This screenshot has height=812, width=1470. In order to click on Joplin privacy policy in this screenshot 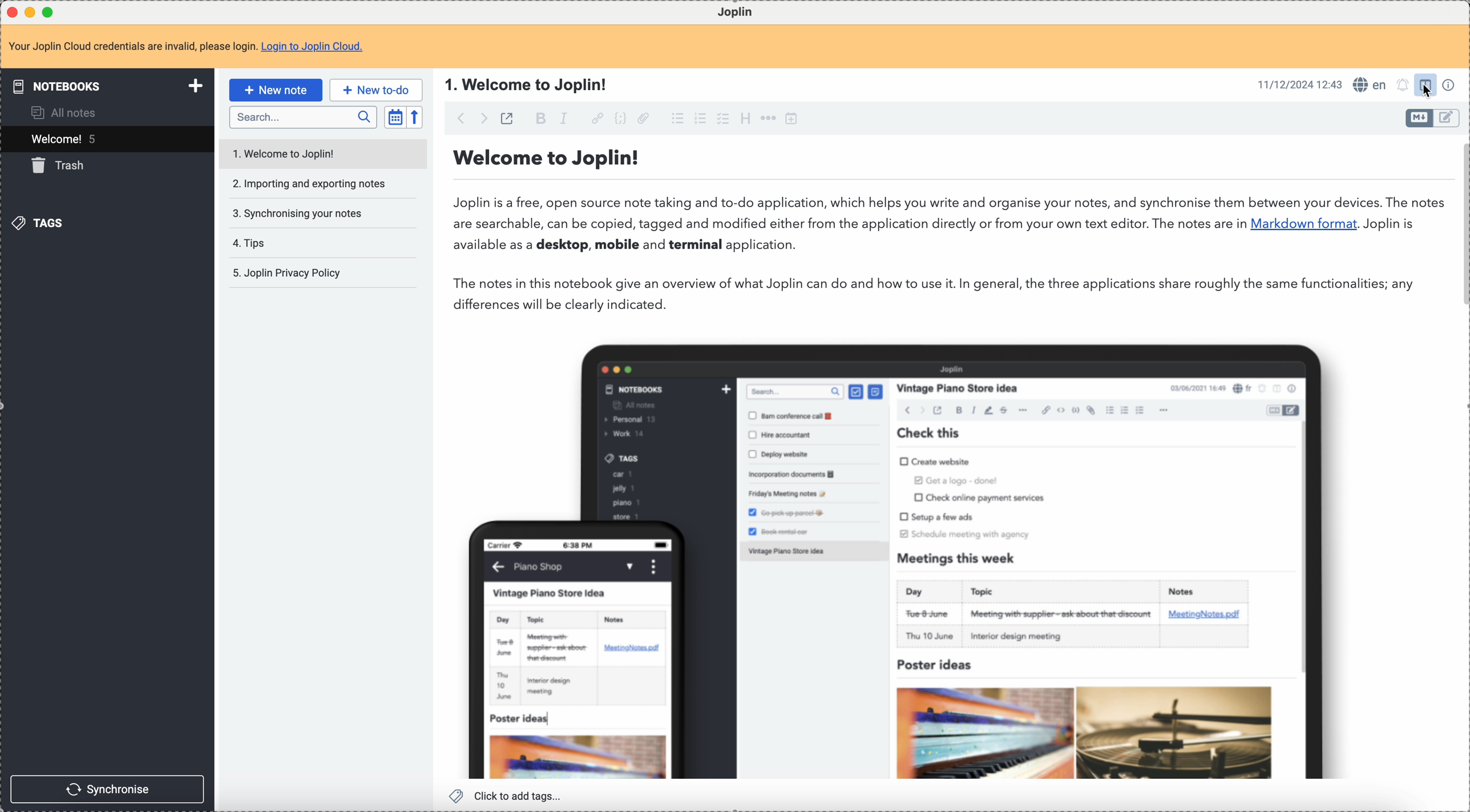, I will do `click(286, 274)`.